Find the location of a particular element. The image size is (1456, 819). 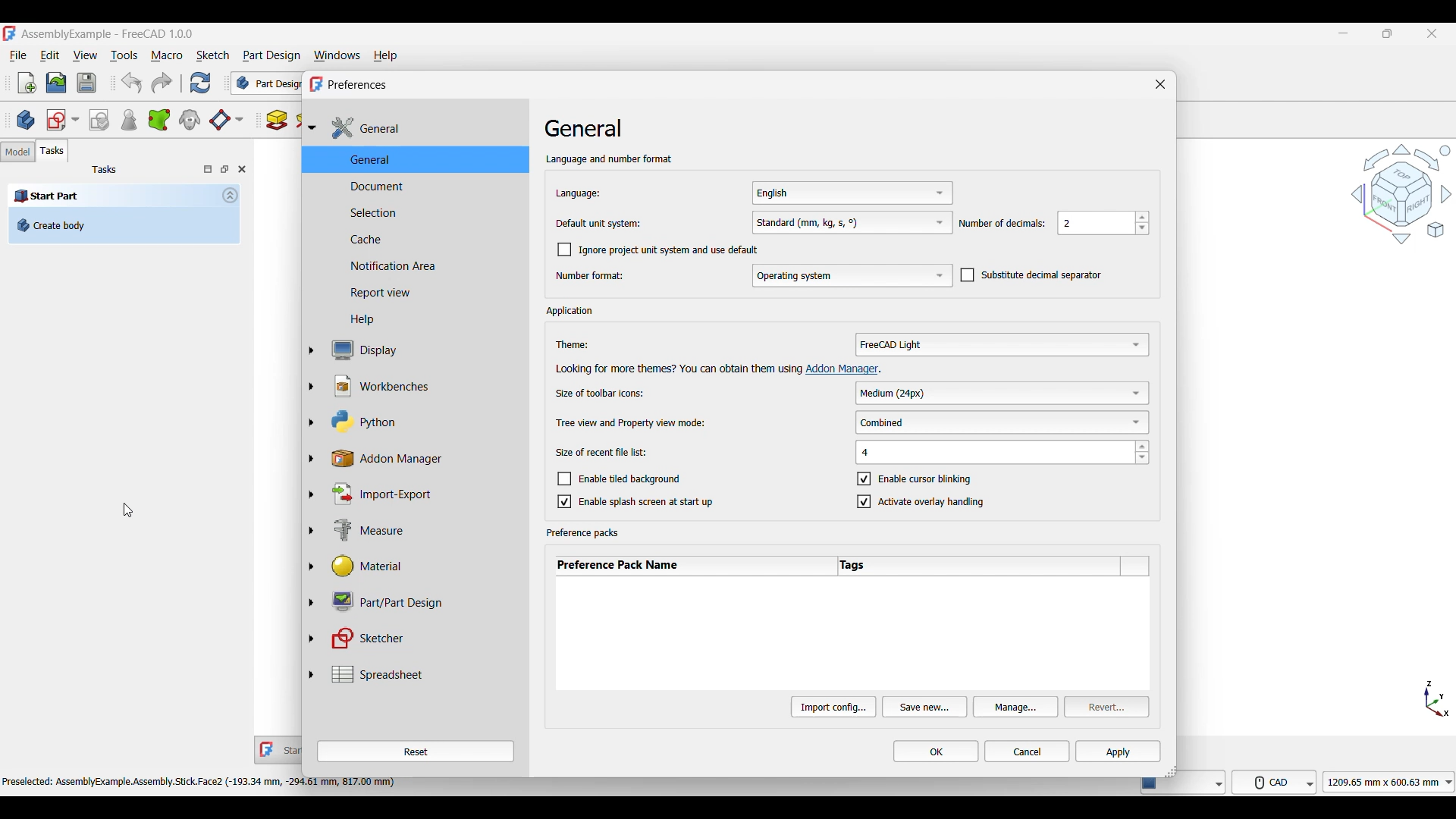

Size of toolbar icons: is located at coordinates (604, 394).